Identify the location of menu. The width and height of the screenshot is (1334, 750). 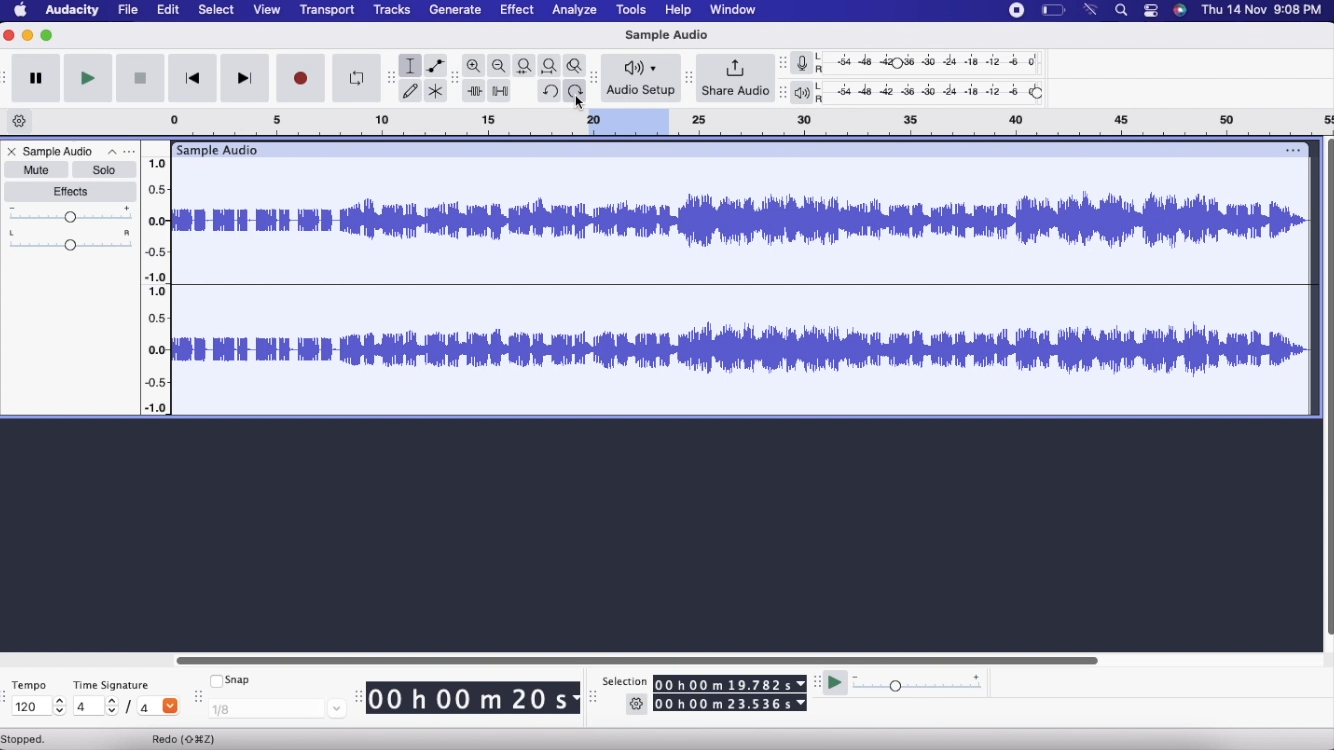
(1018, 11).